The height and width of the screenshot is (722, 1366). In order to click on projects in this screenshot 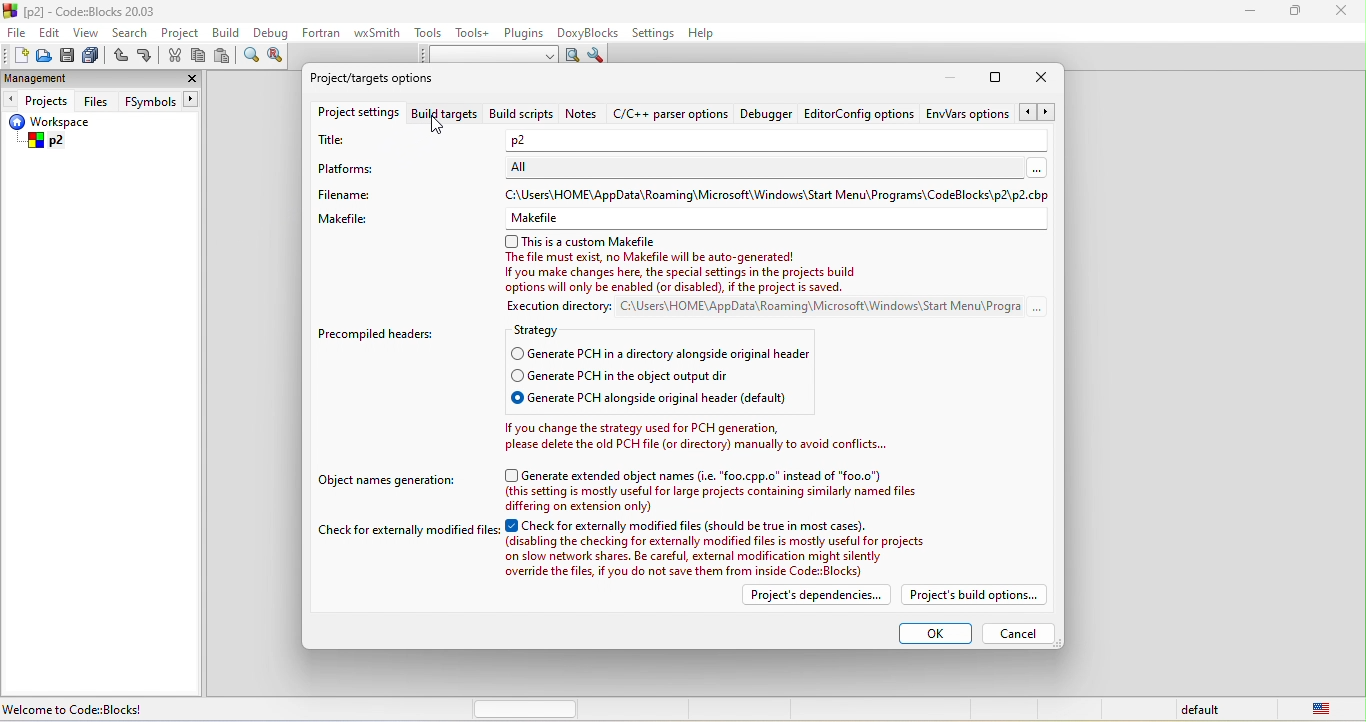, I will do `click(39, 101)`.